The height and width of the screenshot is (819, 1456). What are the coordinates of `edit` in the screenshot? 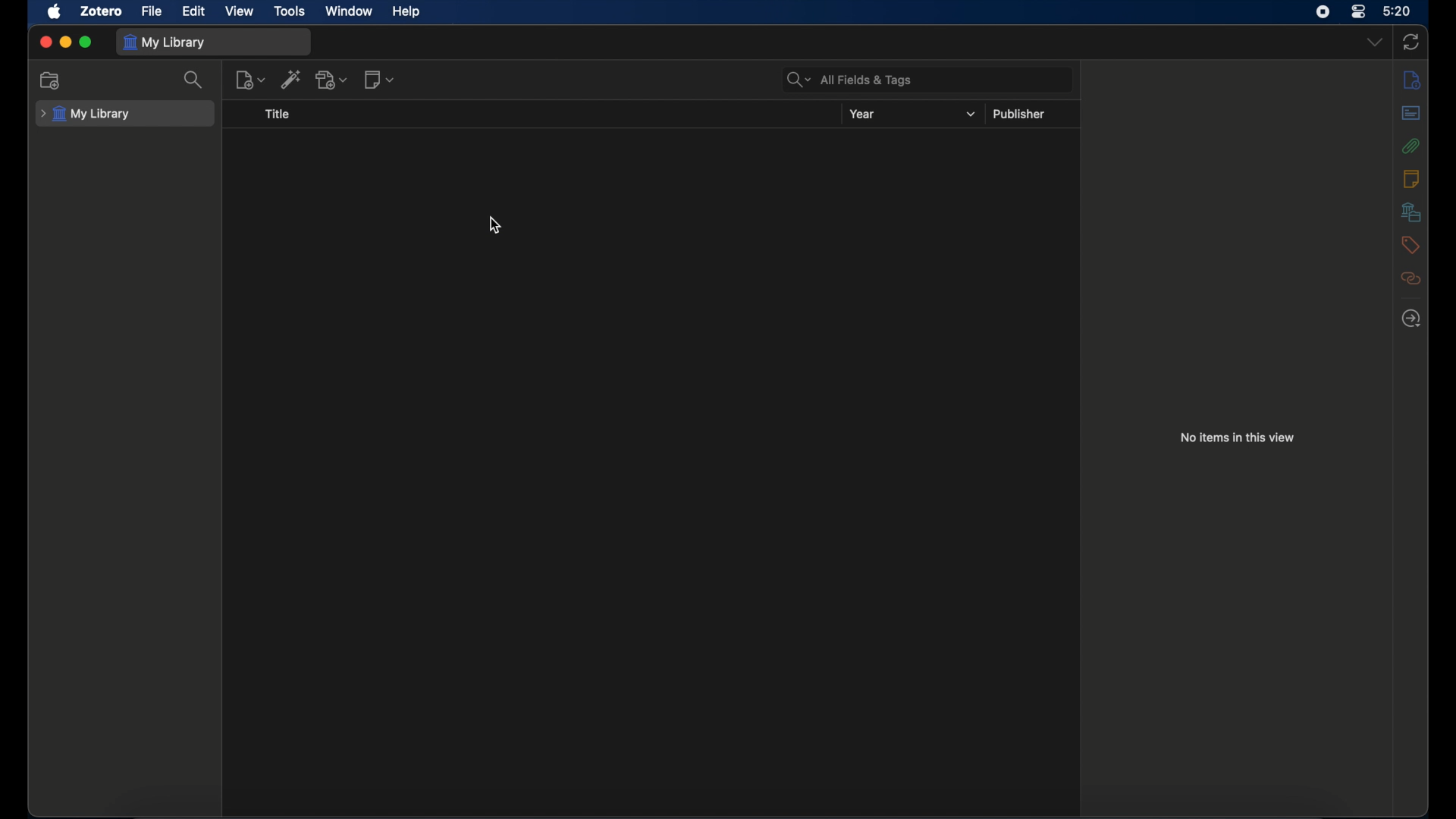 It's located at (196, 11).